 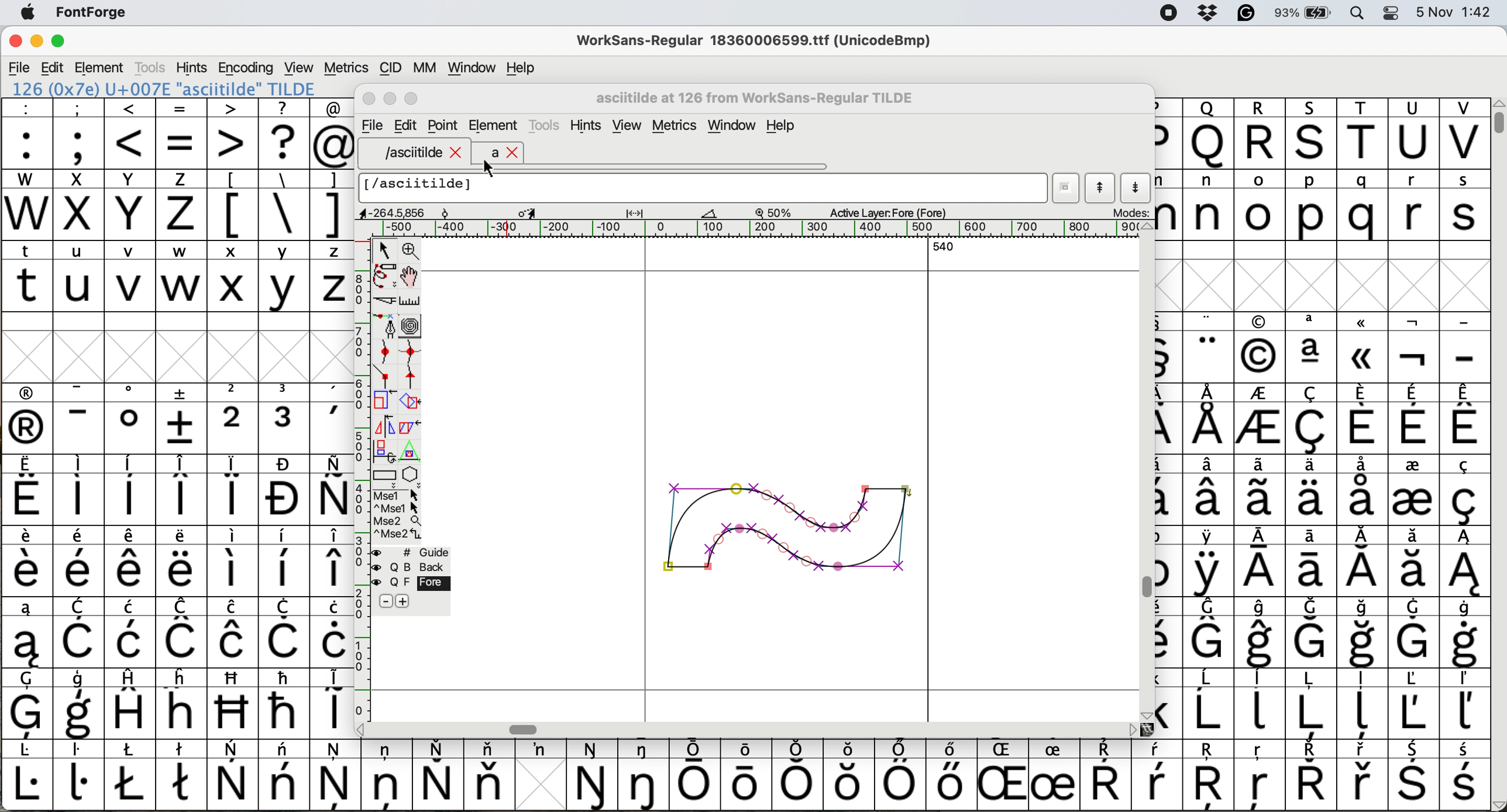 I want to click on Background, so click(x=424, y=567).